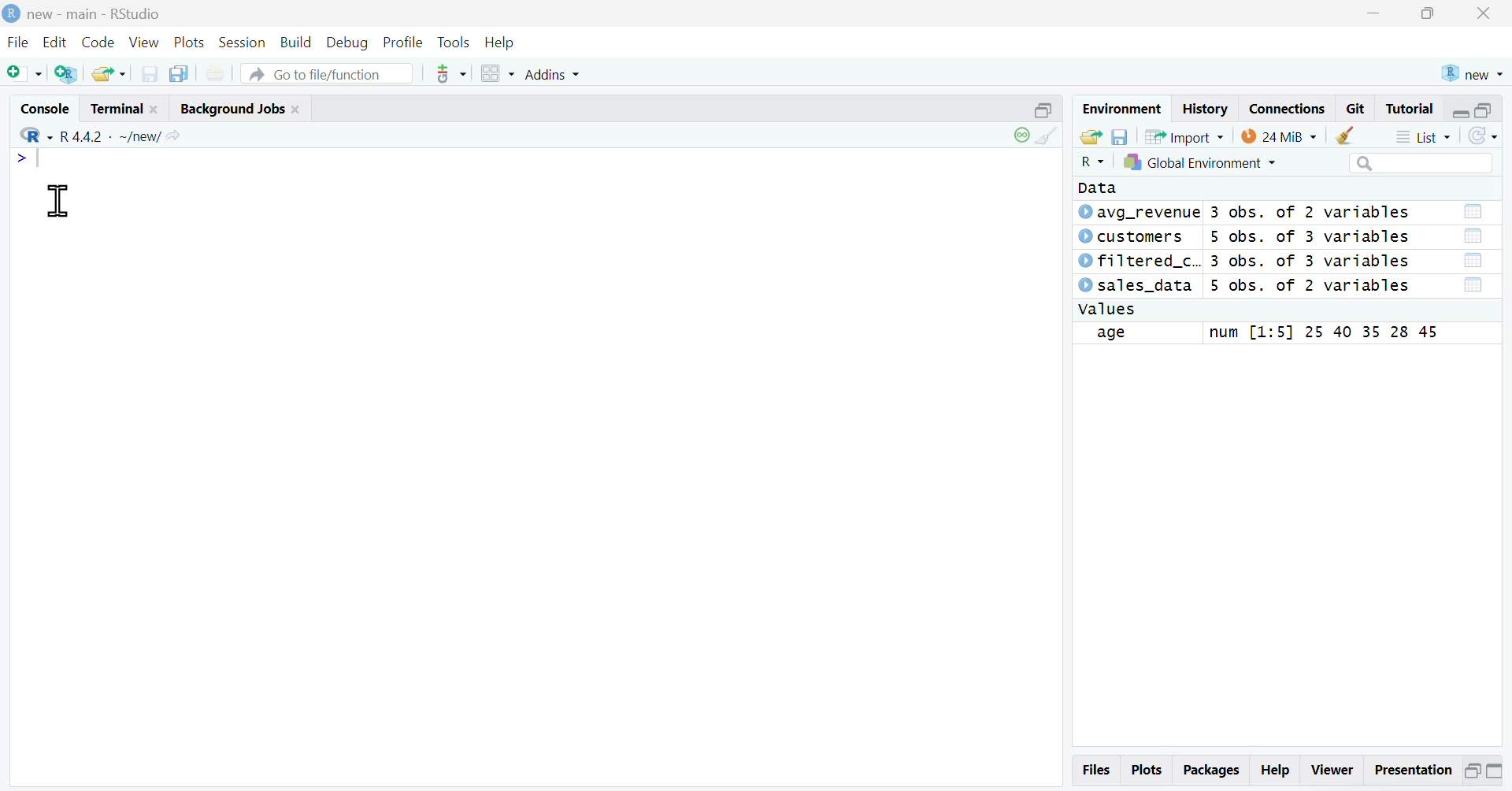 This screenshot has height=791, width=1512. I want to click on minimize, so click(1373, 14).